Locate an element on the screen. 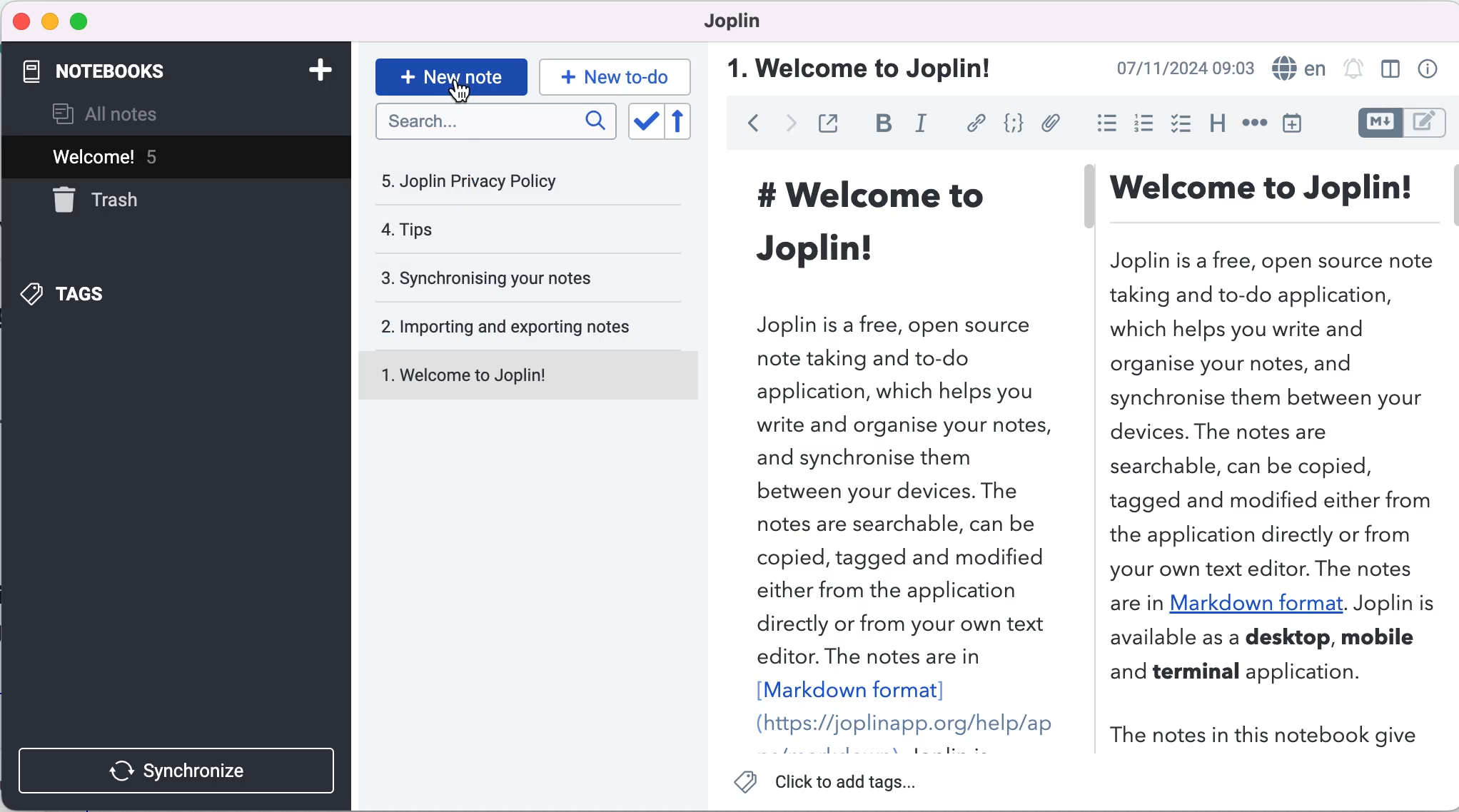  welcome! 5 is located at coordinates (168, 154).